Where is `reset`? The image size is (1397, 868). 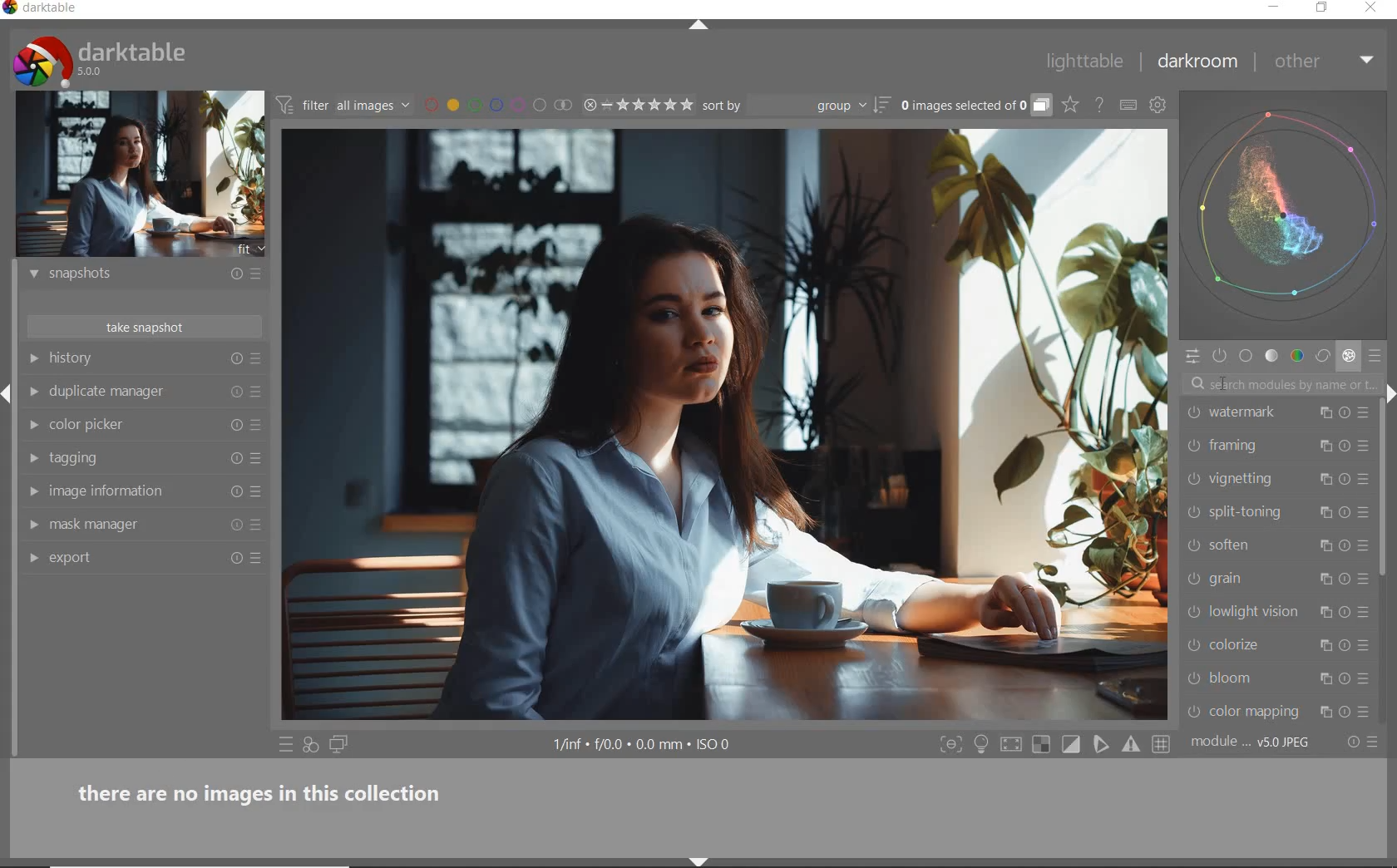 reset is located at coordinates (1347, 513).